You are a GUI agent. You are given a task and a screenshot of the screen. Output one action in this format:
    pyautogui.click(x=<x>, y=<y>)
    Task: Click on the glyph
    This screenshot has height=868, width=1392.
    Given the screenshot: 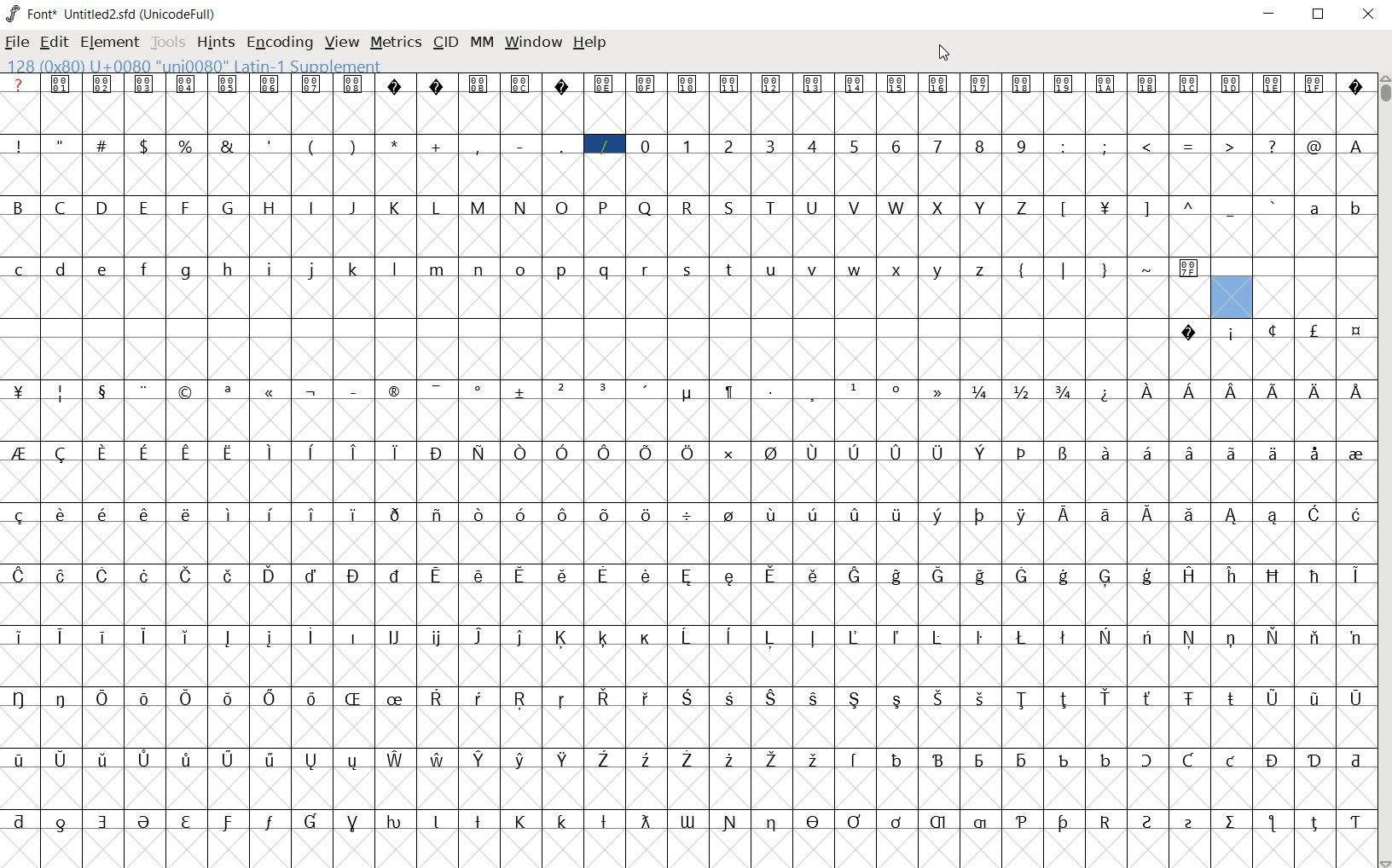 What is the action you would take?
    pyautogui.click(x=229, y=576)
    